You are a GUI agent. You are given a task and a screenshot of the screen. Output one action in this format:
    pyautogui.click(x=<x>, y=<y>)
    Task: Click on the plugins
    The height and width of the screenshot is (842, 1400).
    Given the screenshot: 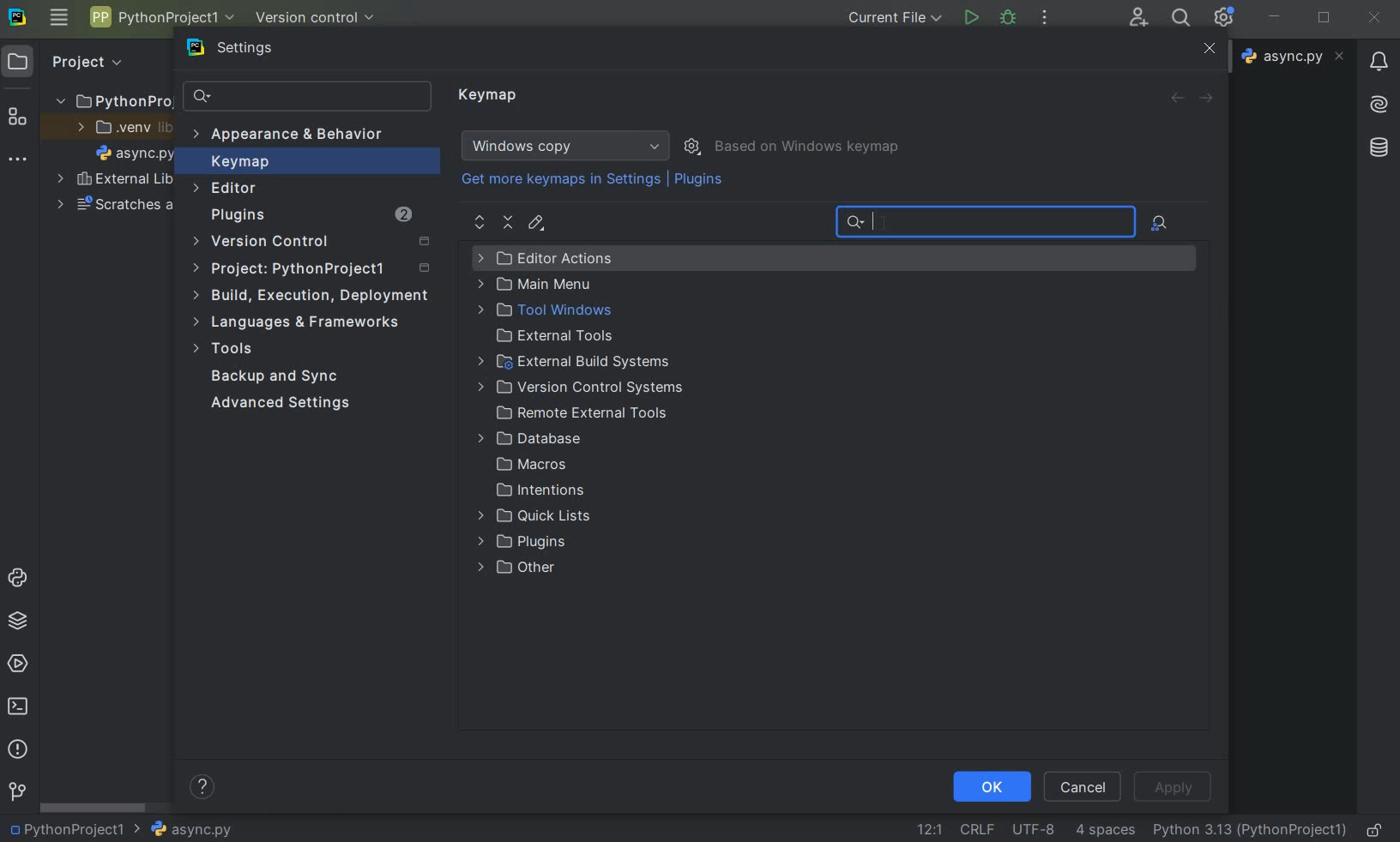 What is the action you would take?
    pyautogui.click(x=701, y=183)
    